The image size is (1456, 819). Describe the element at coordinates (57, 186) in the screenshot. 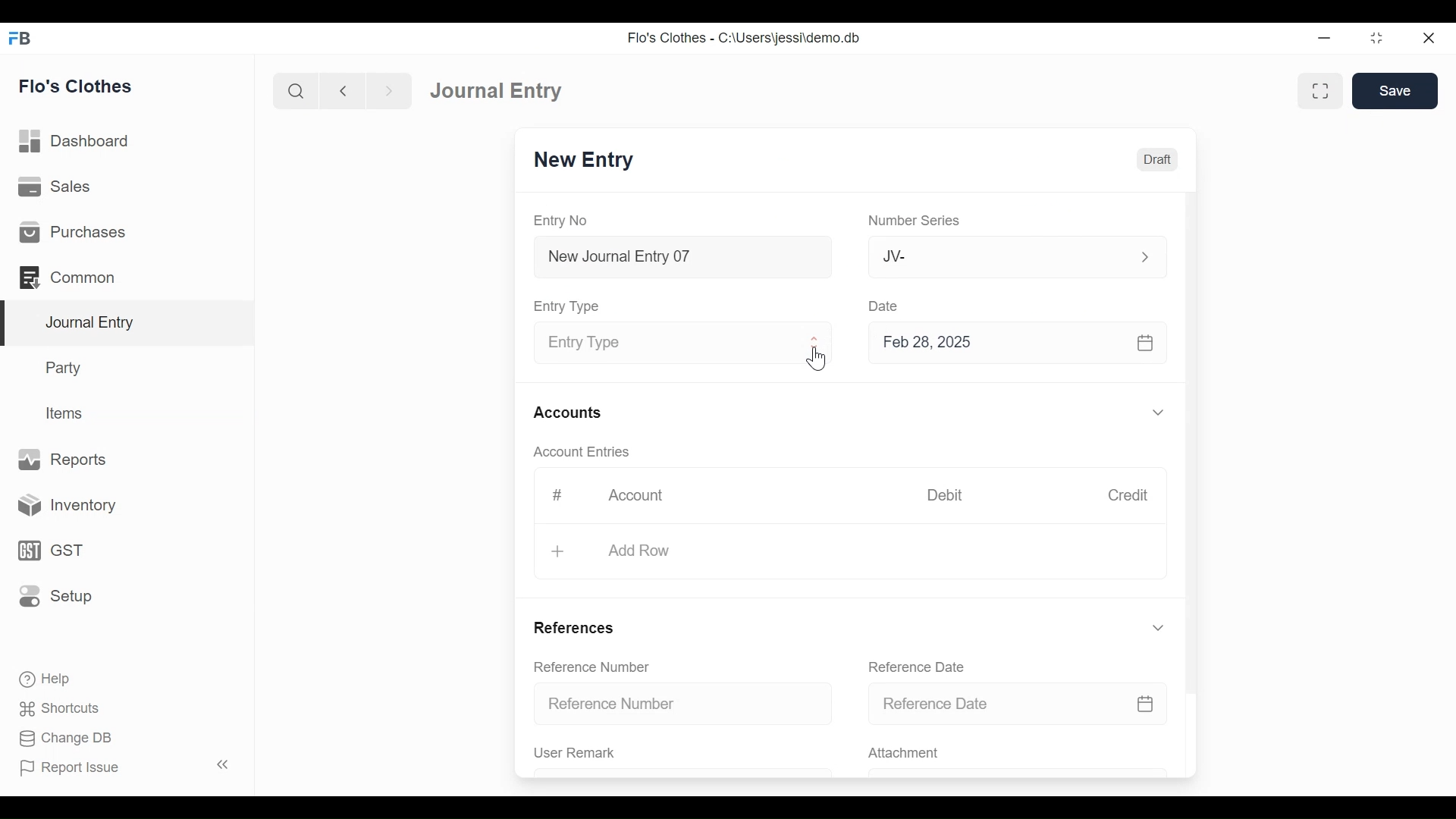

I see `Sales` at that location.